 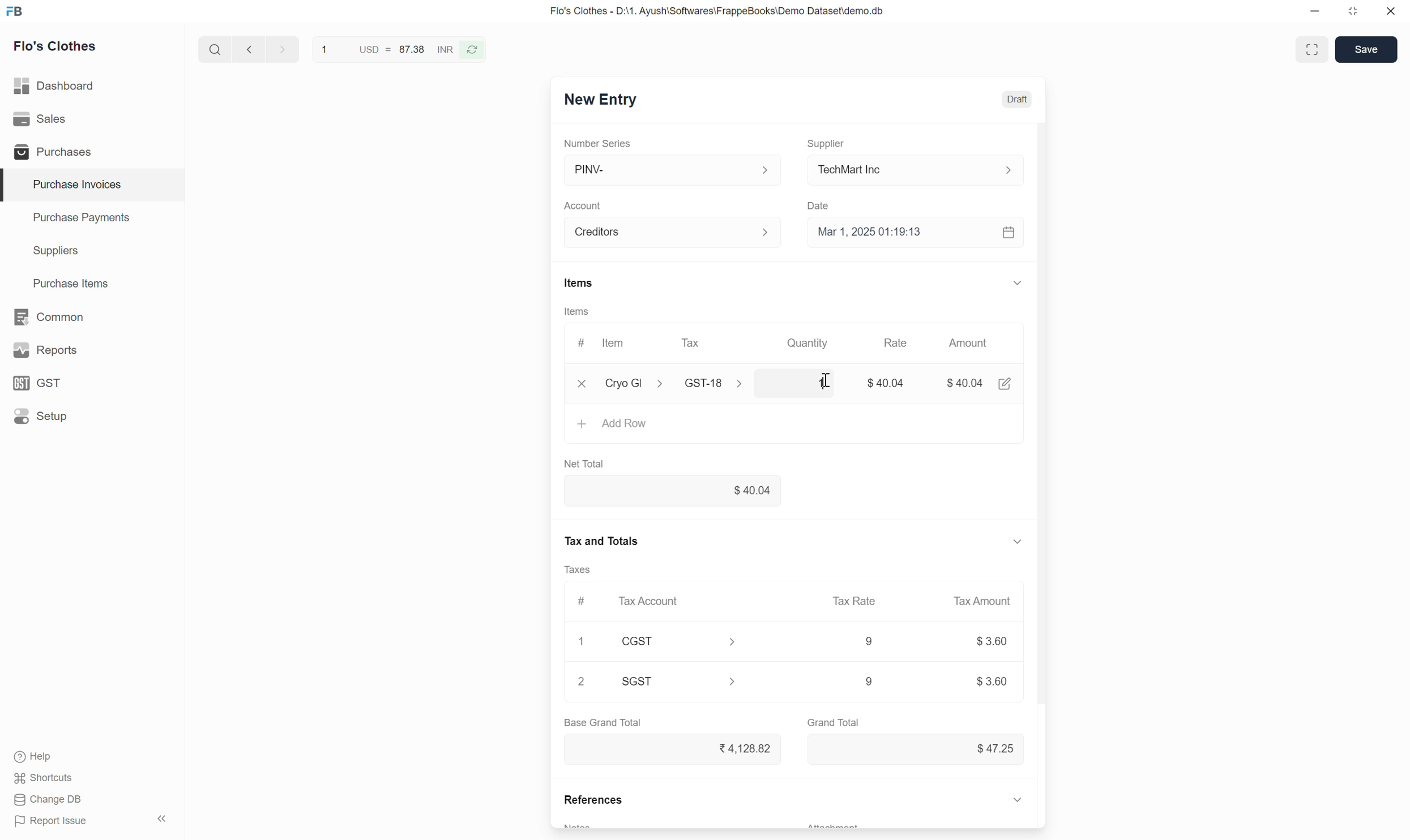 I want to click on New Entry, so click(x=599, y=101).